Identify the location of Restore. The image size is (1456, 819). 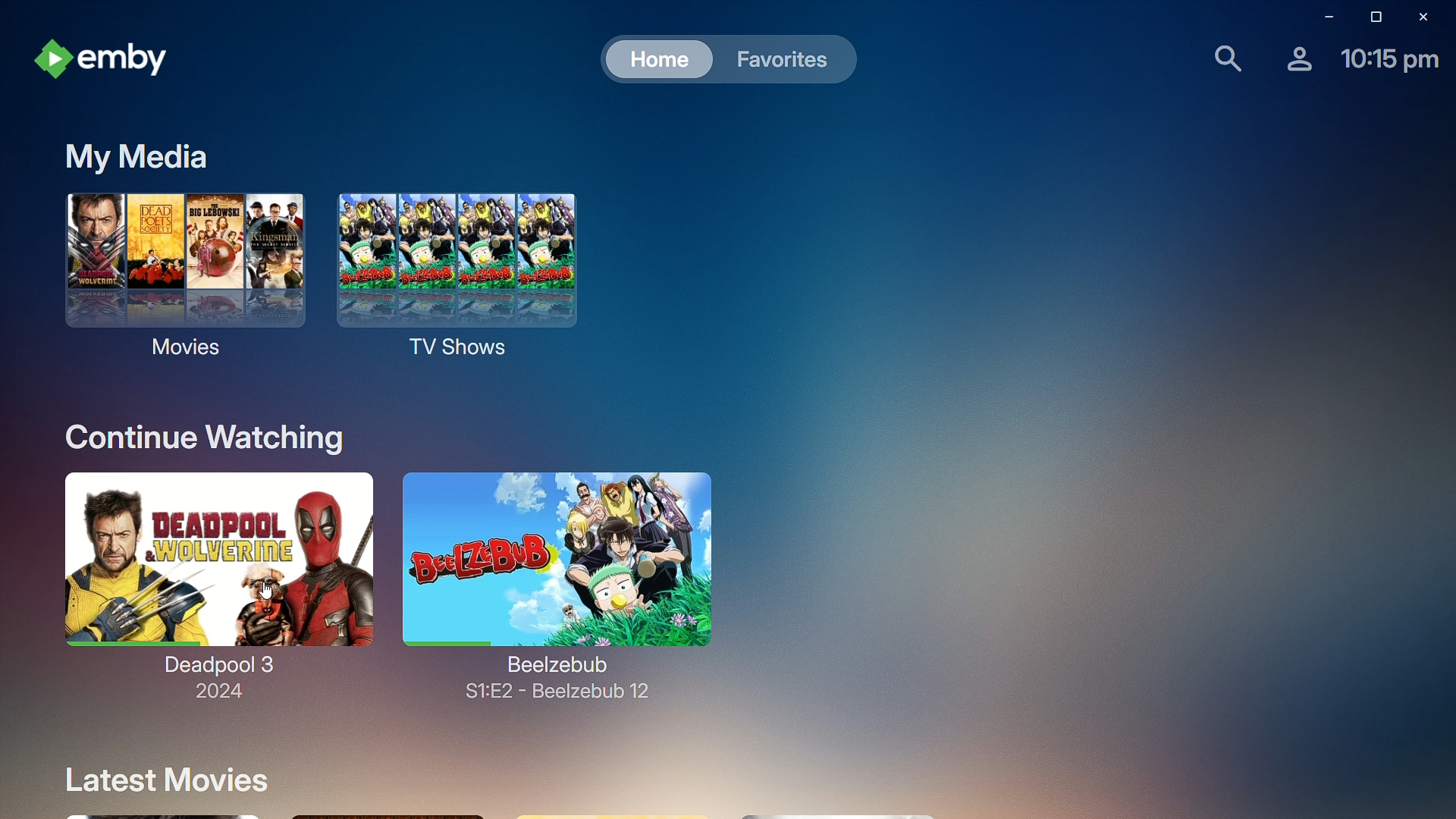
(1371, 20).